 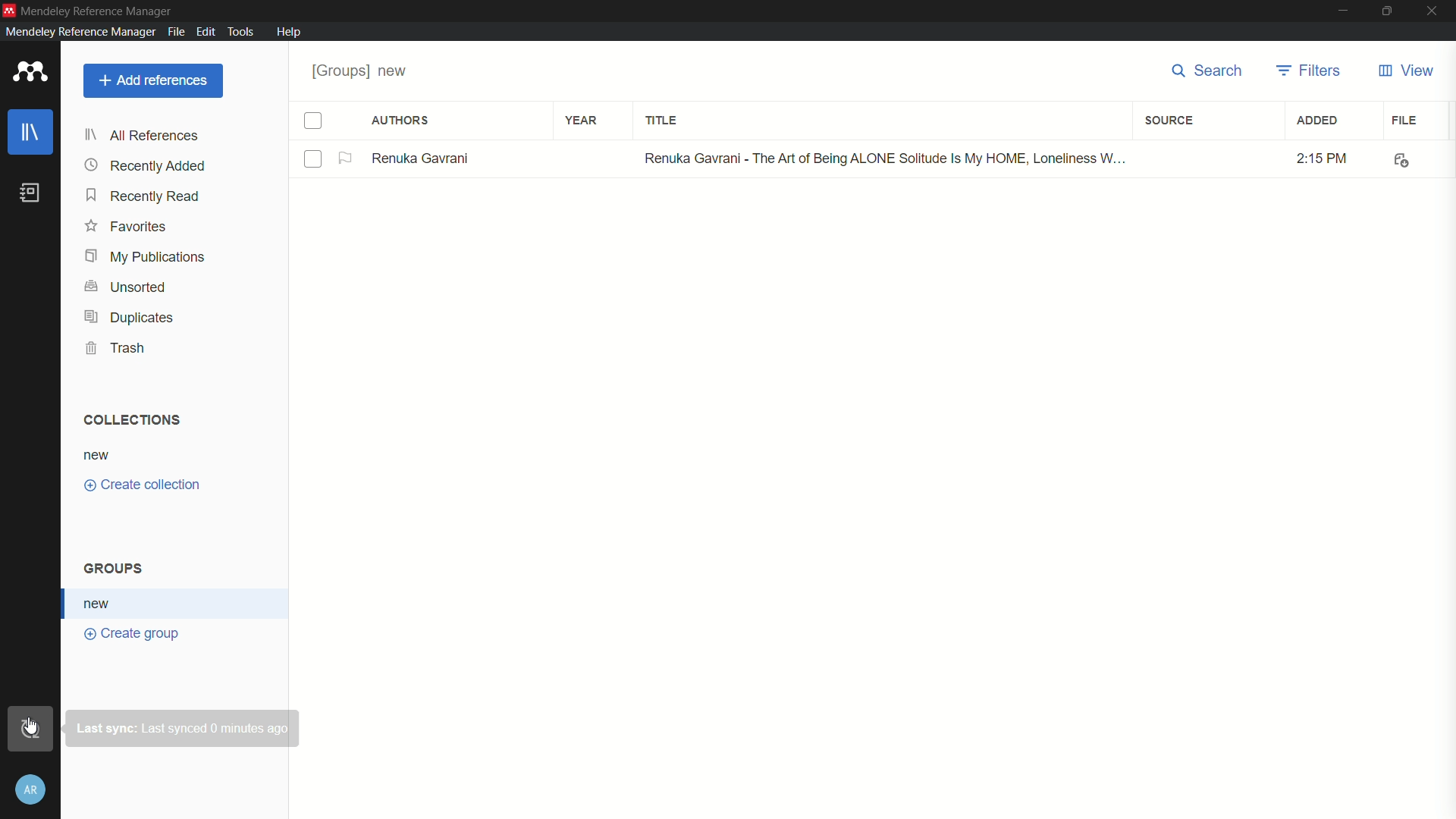 What do you see at coordinates (29, 73) in the screenshot?
I see `app icon` at bounding box center [29, 73].